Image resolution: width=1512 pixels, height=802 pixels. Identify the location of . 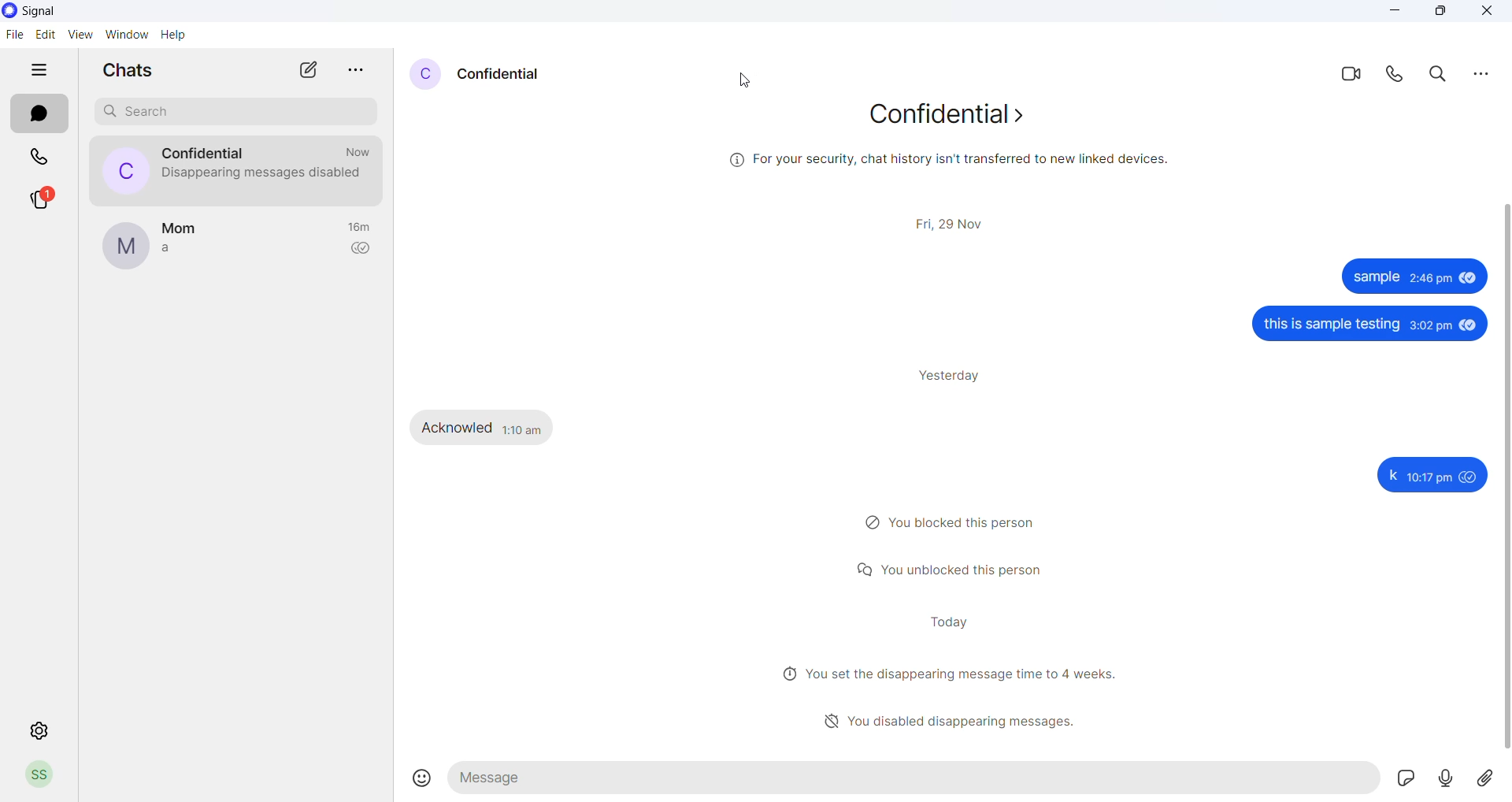
(1492, 11).